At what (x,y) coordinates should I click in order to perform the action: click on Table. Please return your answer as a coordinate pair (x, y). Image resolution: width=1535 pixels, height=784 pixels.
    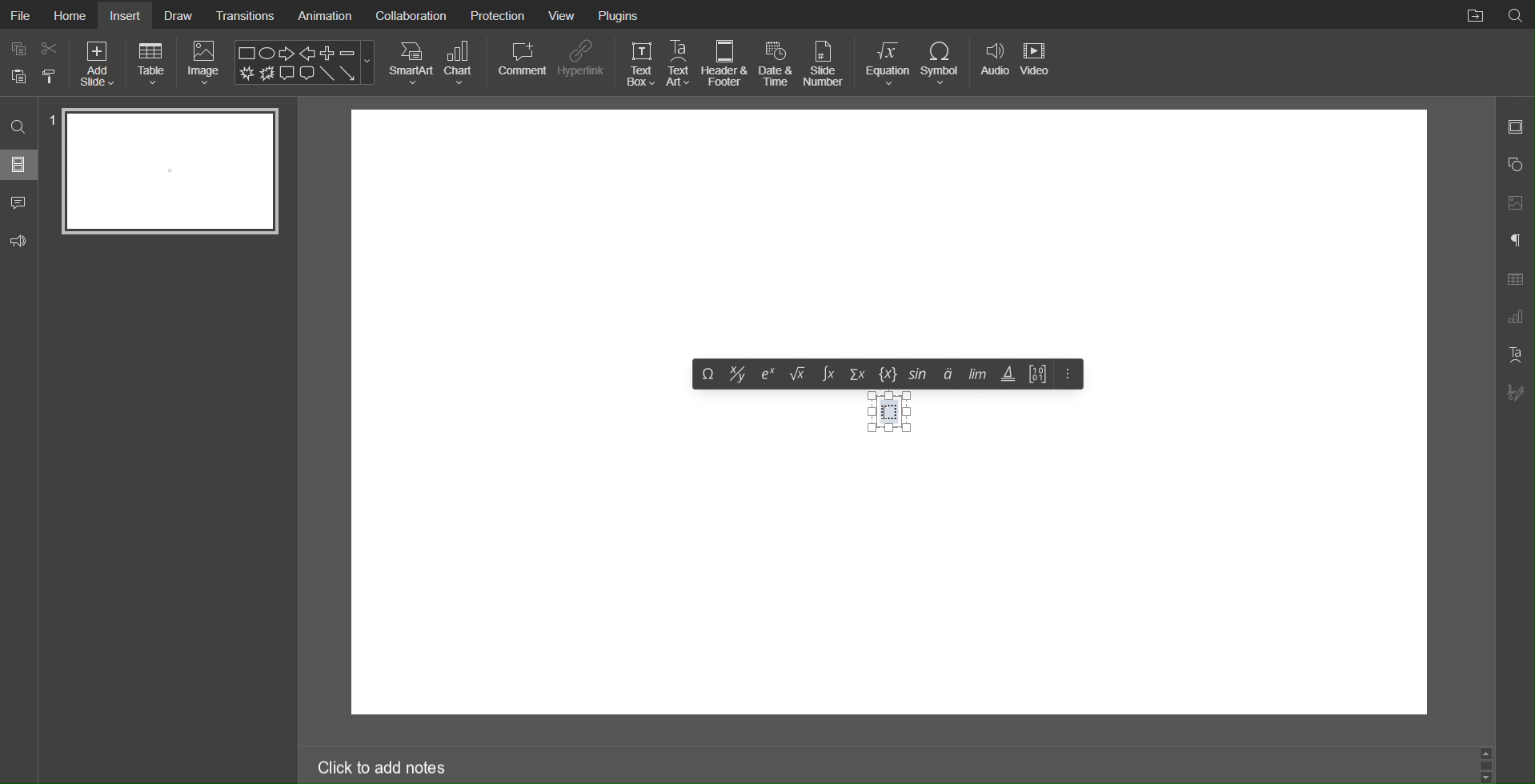
    Looking at the image, I should click on (152, 64).